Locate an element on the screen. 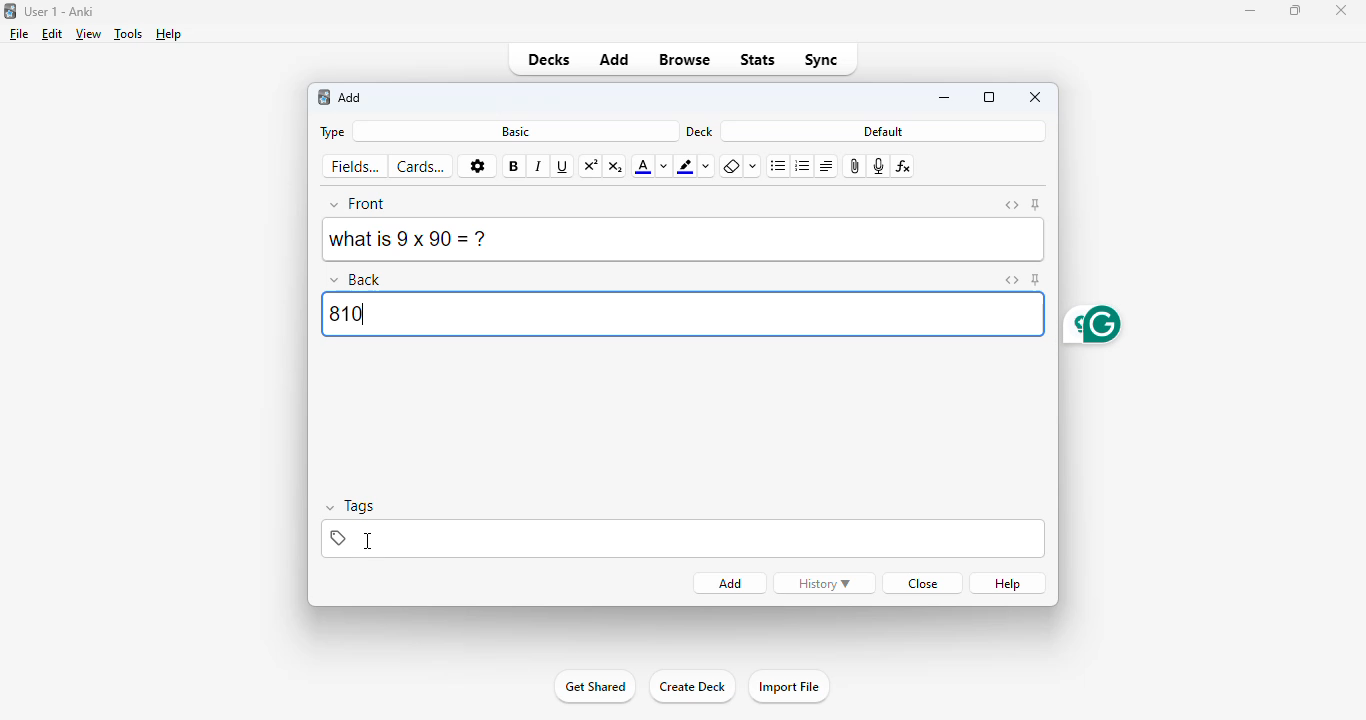 The height and width of the screenshot is (720, 1366). ordered list is located at coordinates (803, 166).